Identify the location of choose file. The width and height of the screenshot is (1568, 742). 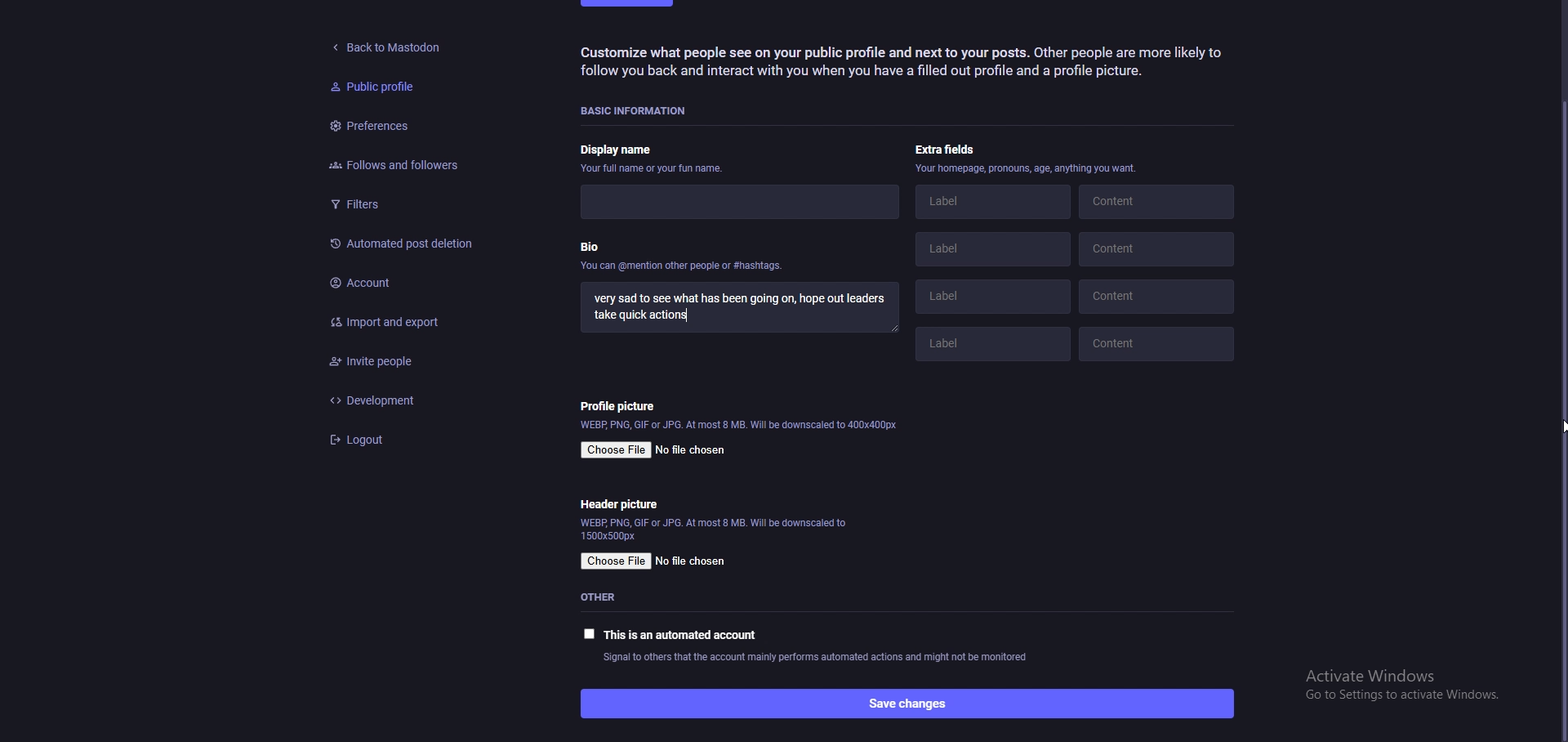
(616, 562).